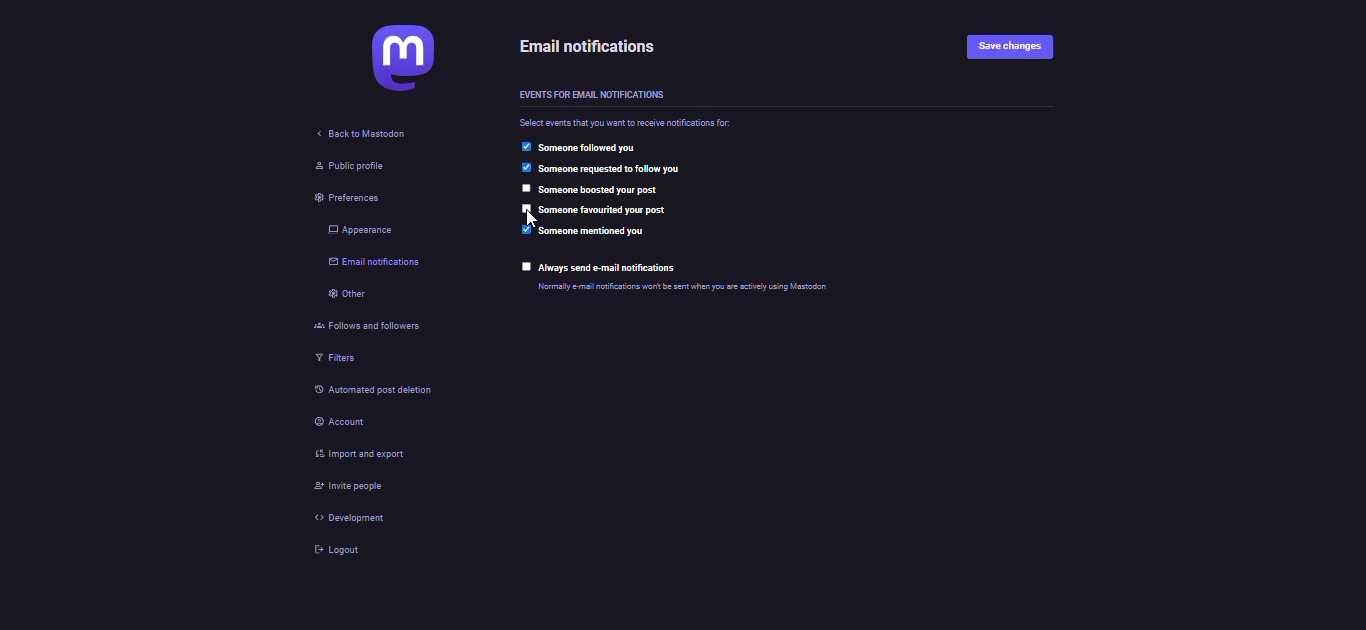  Describe the element at coordinates (600, 188) in the screenshot. I see `someone boosted your profile` at that location.